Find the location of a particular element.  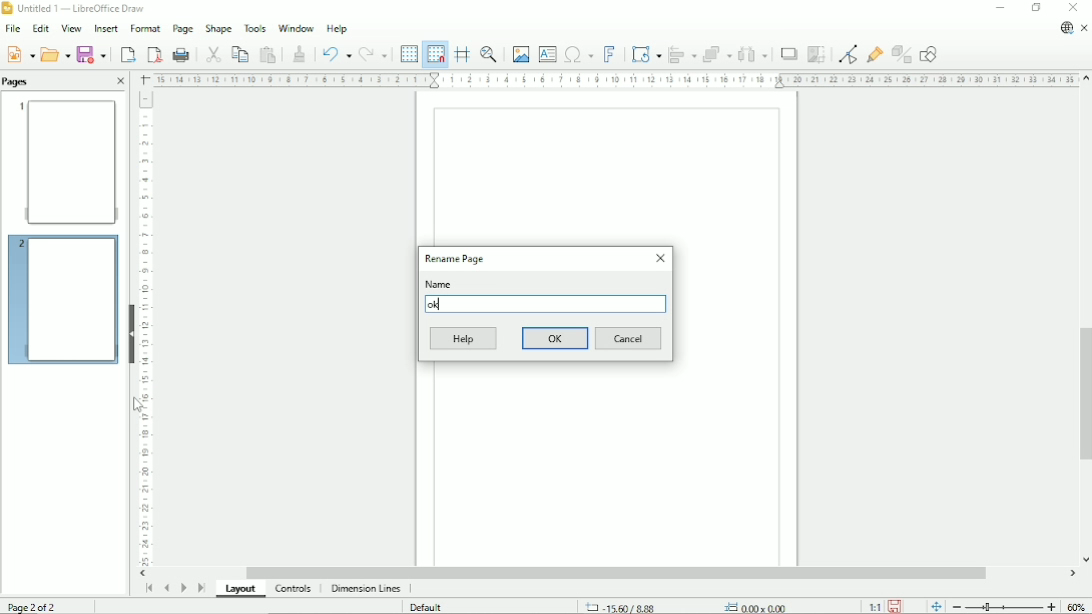

Name is located at coordinates (439, 284).